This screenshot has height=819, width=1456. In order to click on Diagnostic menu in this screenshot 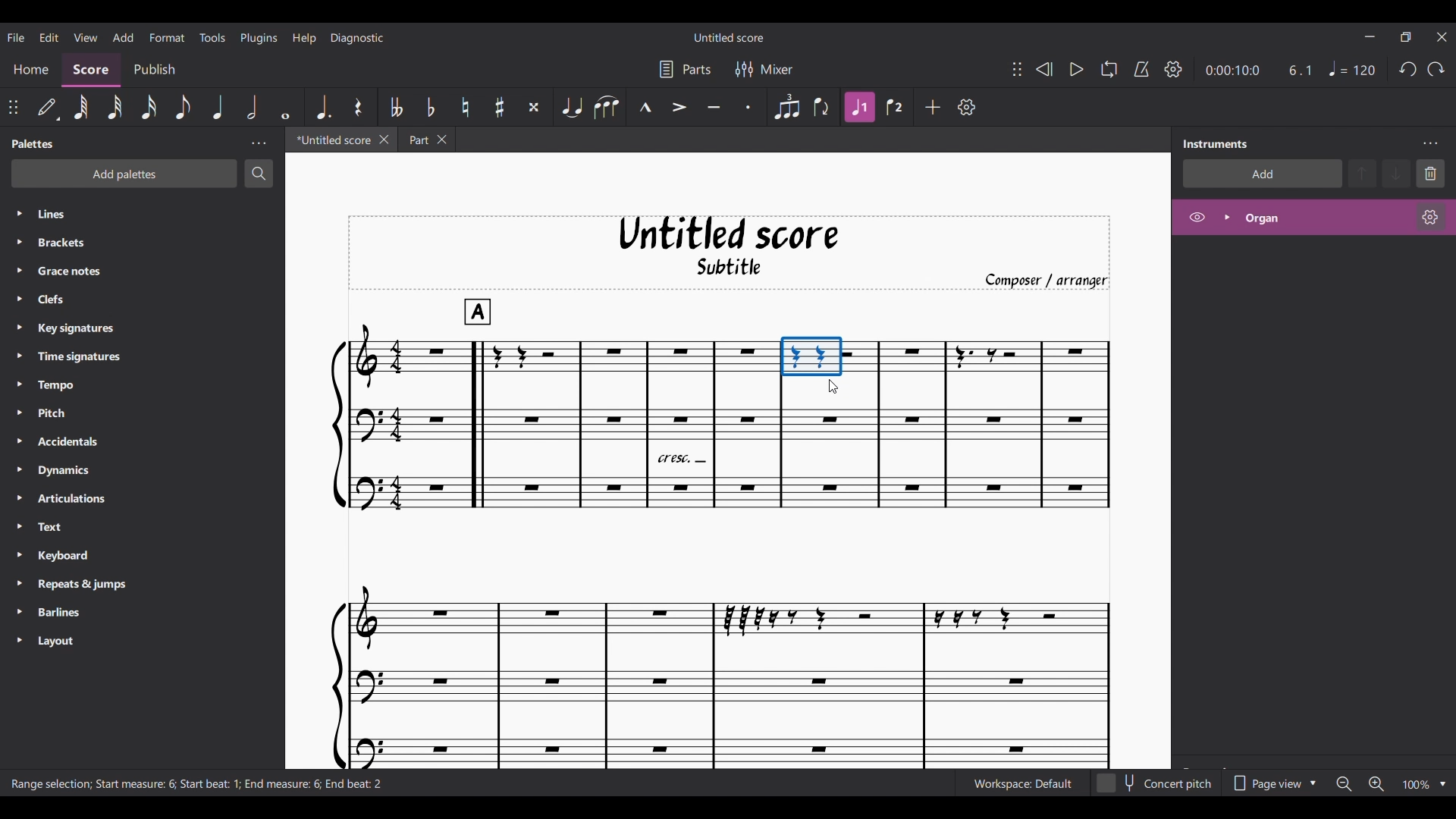, I will do `click(358, 37)`.